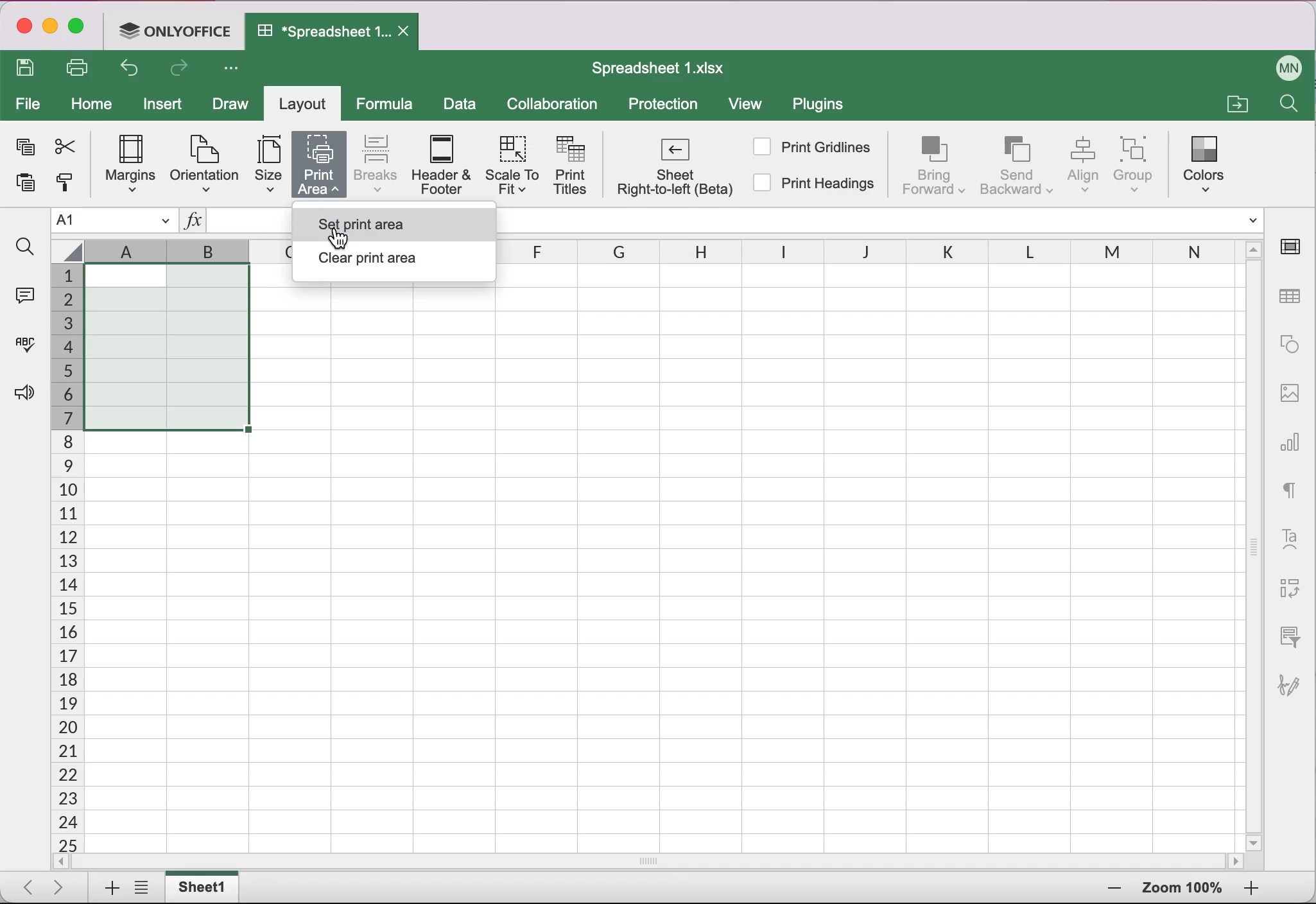  I want to click on Close, so click(406, 32).